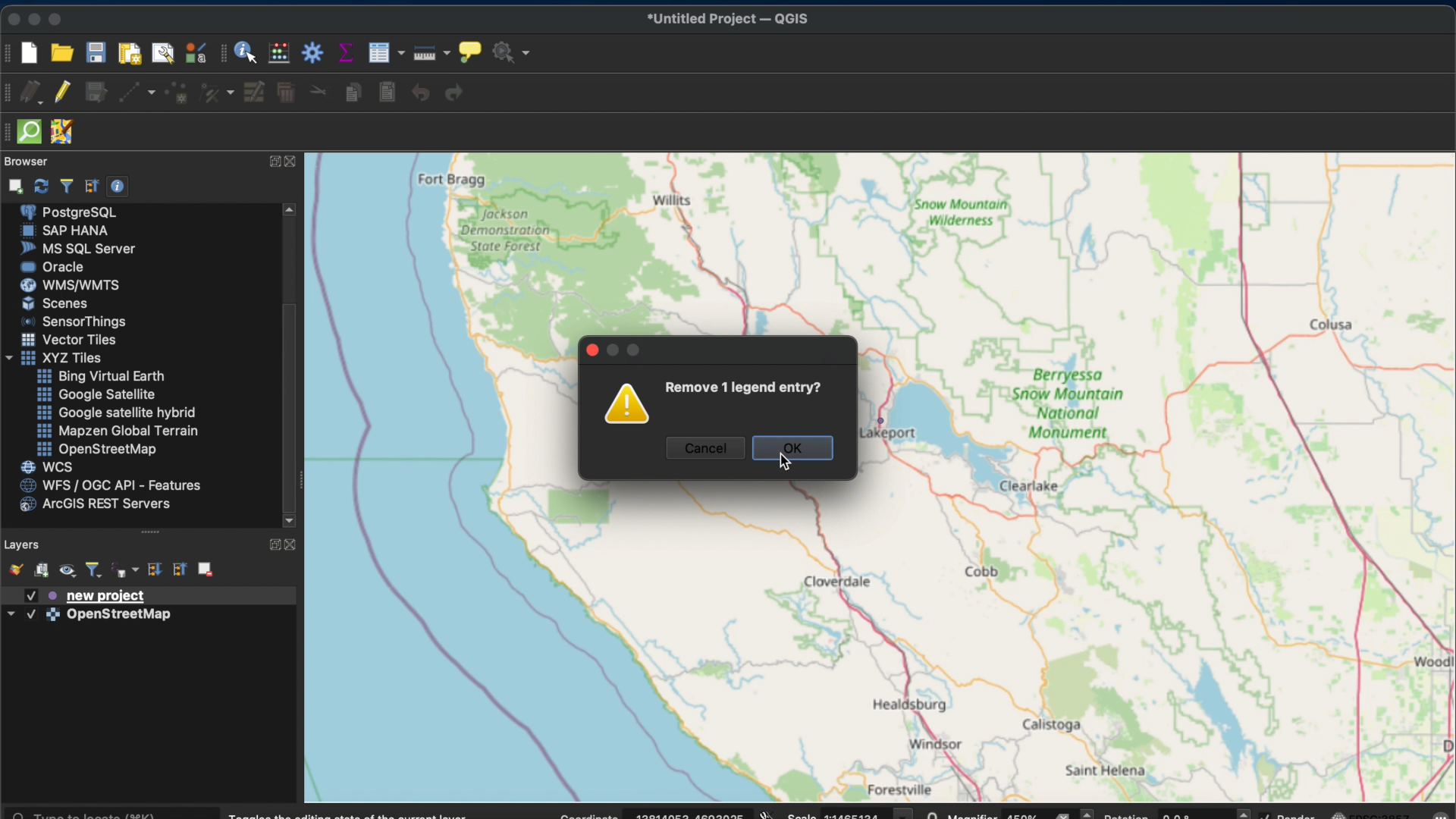  What do you see at coordinates (42, 569) in the screenshot?
I see `add group` at bounding box center [42, 569].